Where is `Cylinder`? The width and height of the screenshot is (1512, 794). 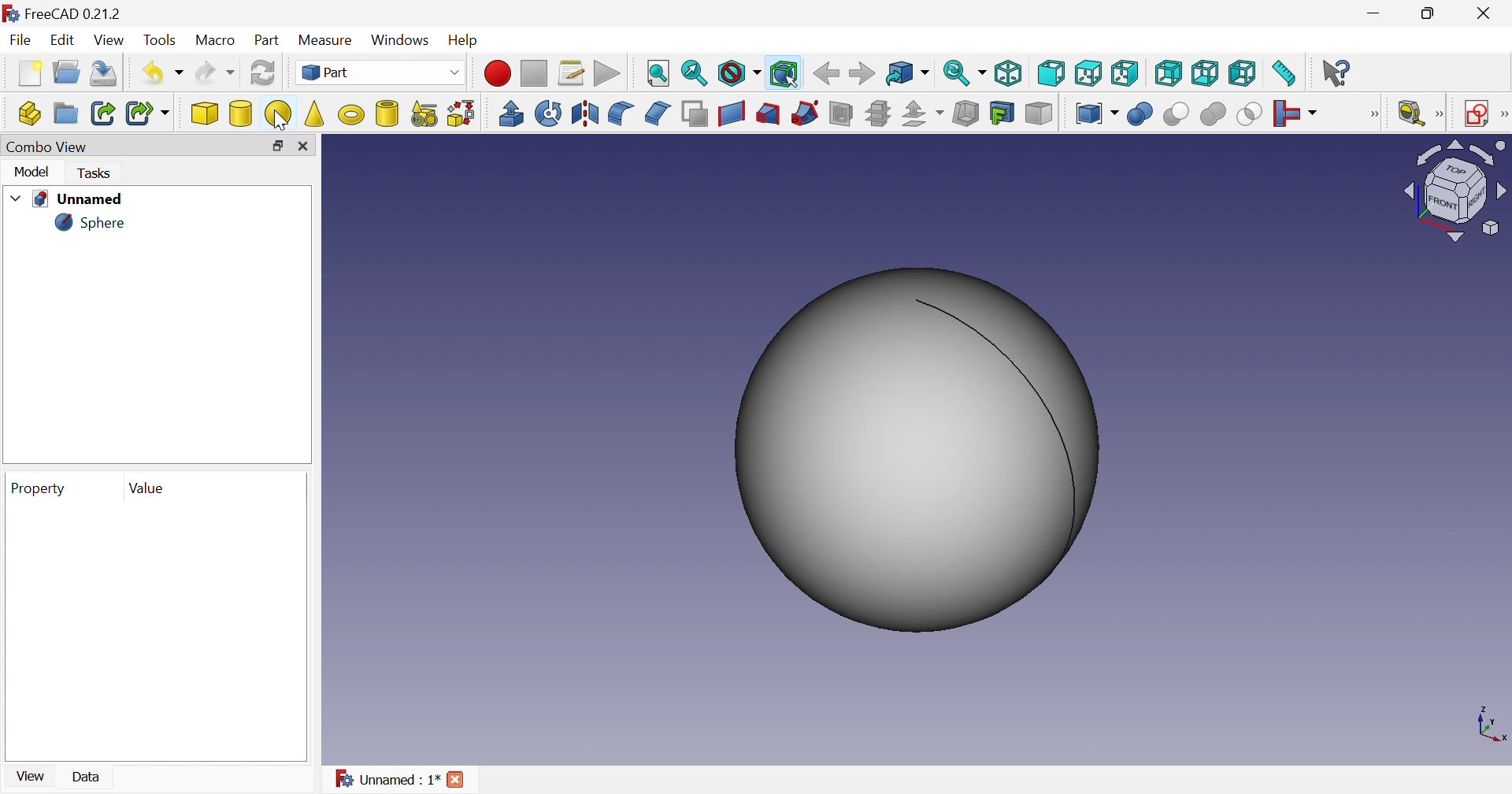
Cylinder is located at coordinates (240, 113).